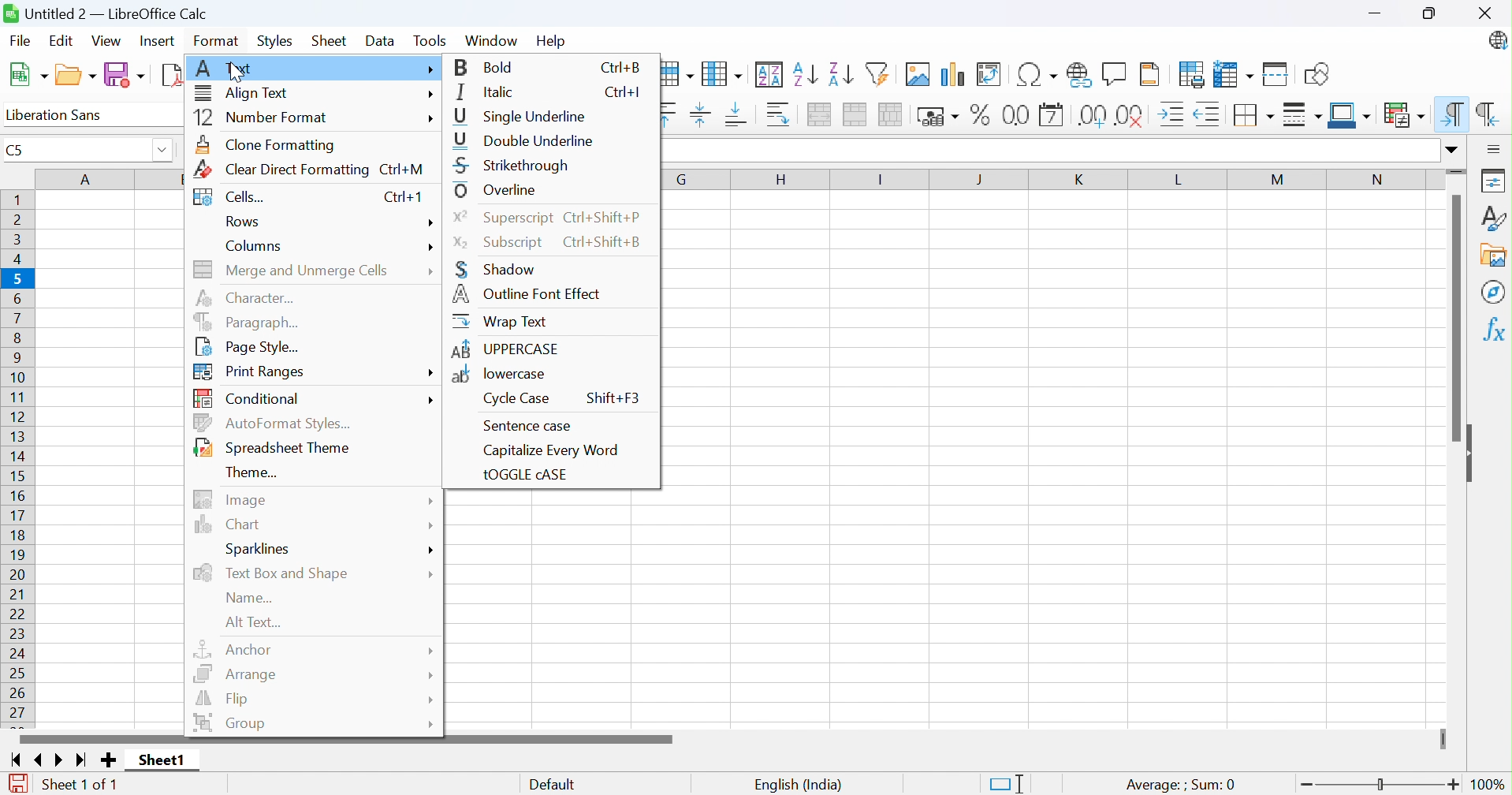  I want to click on File, so click(21, 39).